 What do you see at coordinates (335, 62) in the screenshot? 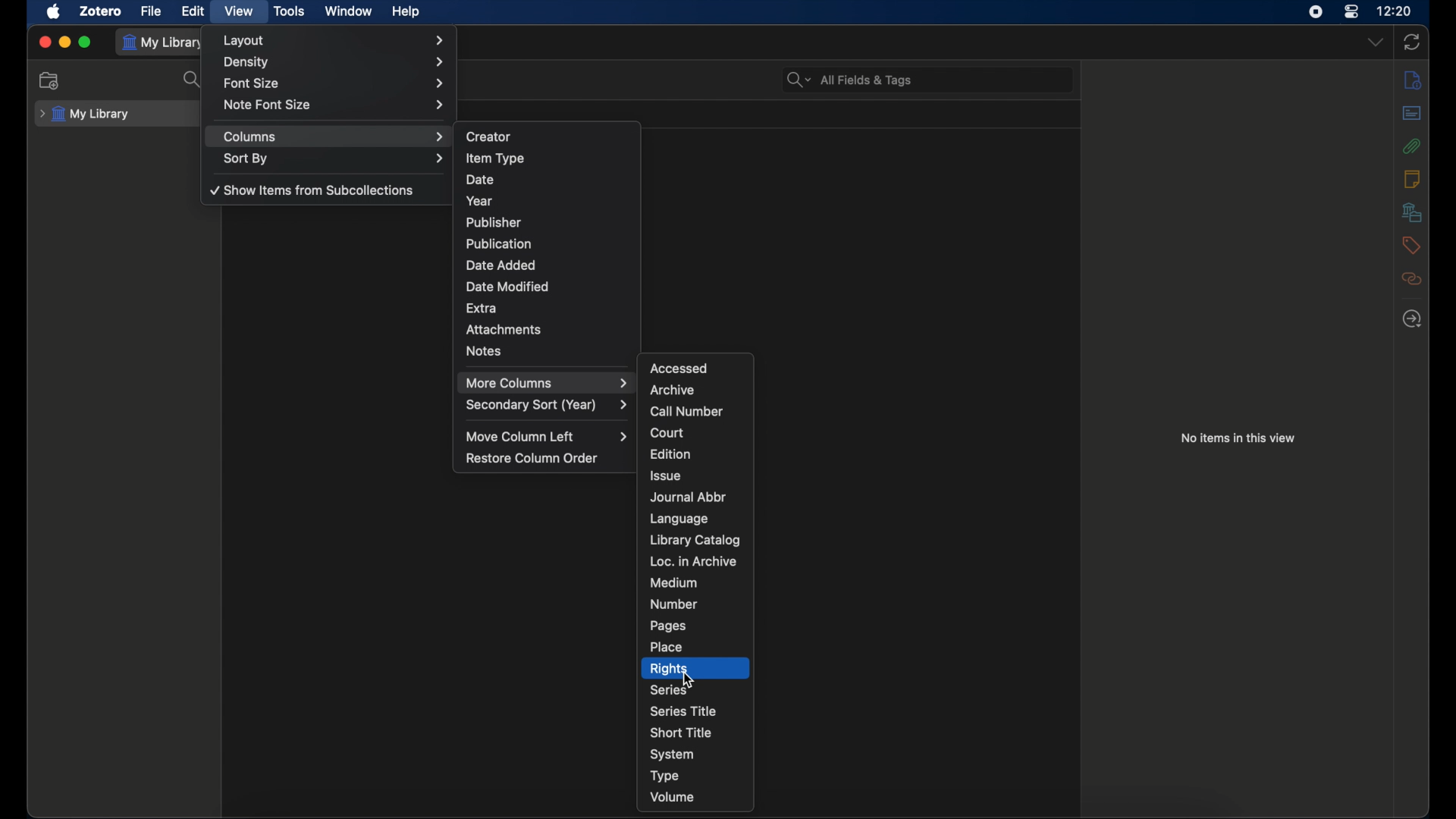
I see `density` at bounding box center [335, 62].